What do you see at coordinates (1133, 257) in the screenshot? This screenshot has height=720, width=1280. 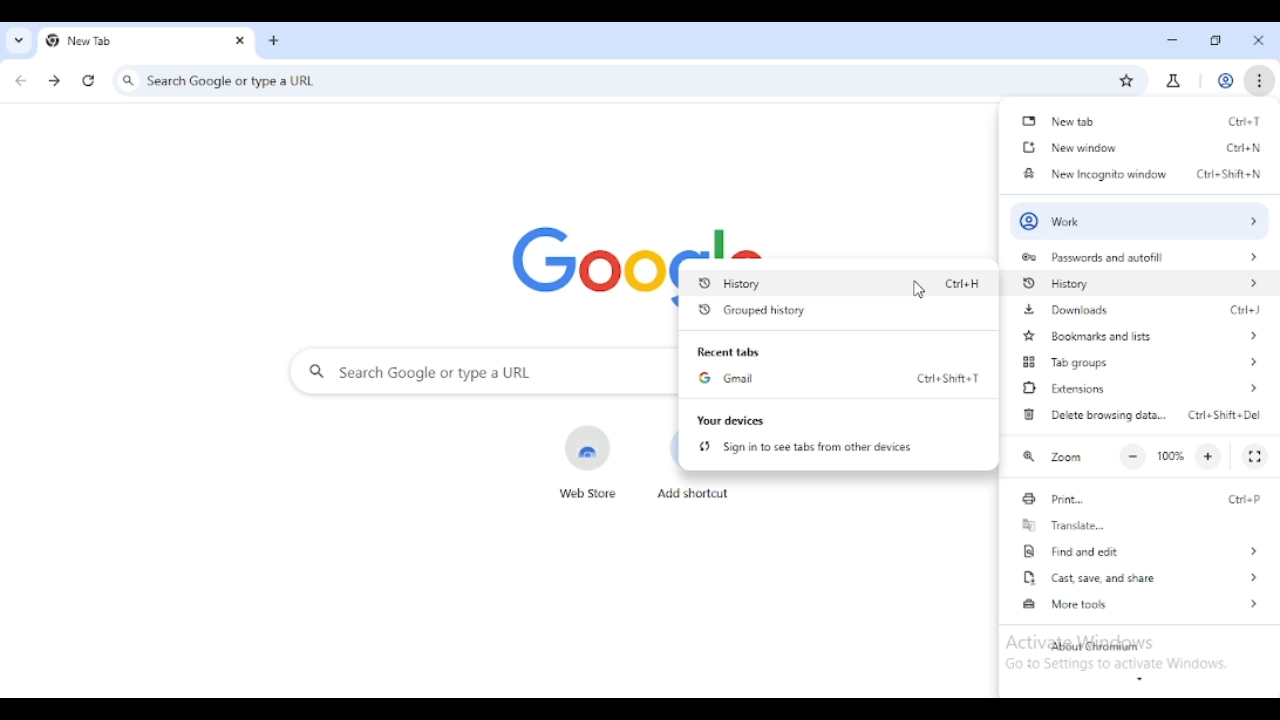 I see `passwords and autofill` at bounding box center [1133, 257].